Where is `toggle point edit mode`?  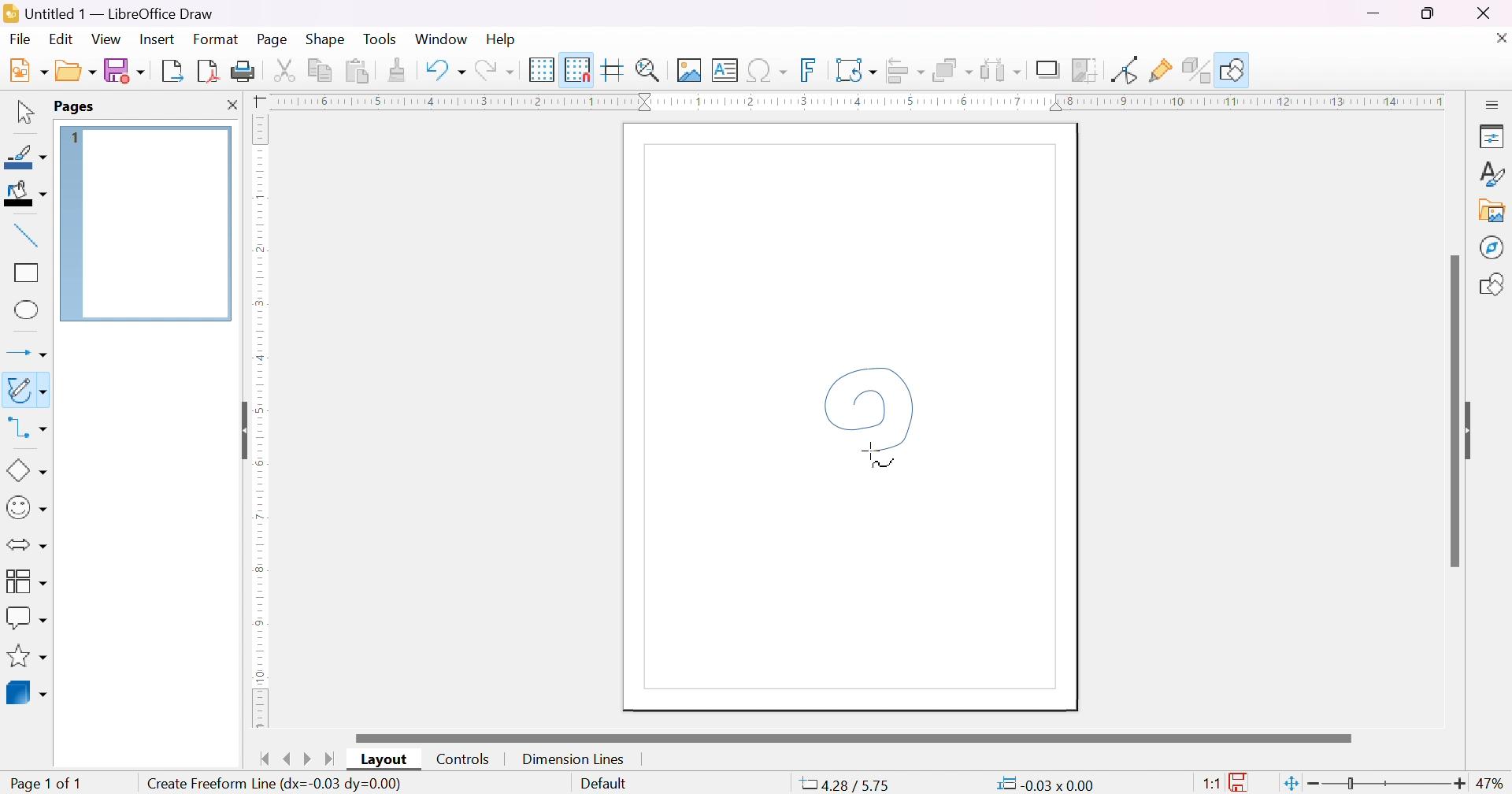 toggle point edit mode is located at coordinates (1128, 69).